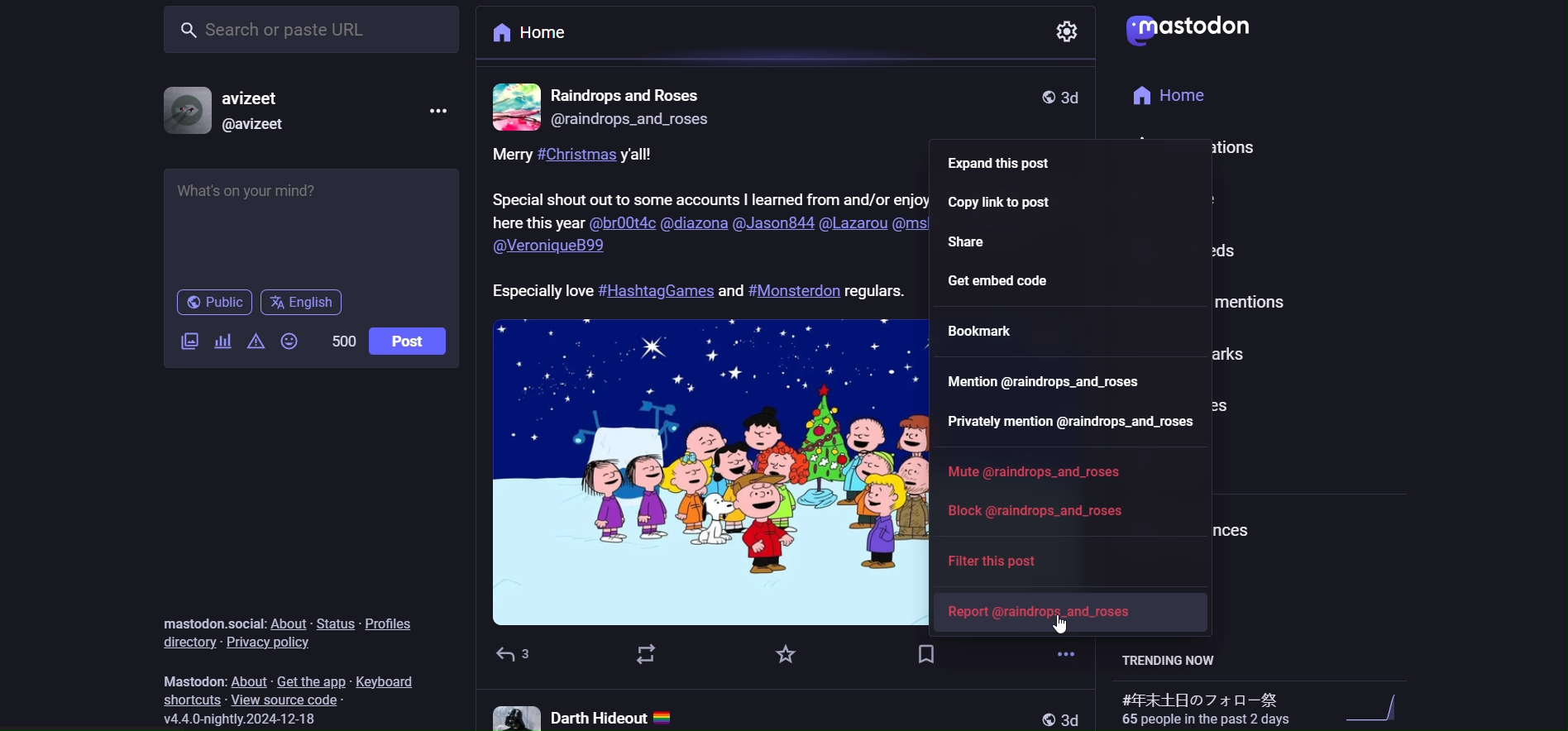 The image size is (1568, 731). I want to click on profiles, so click(391, 623).